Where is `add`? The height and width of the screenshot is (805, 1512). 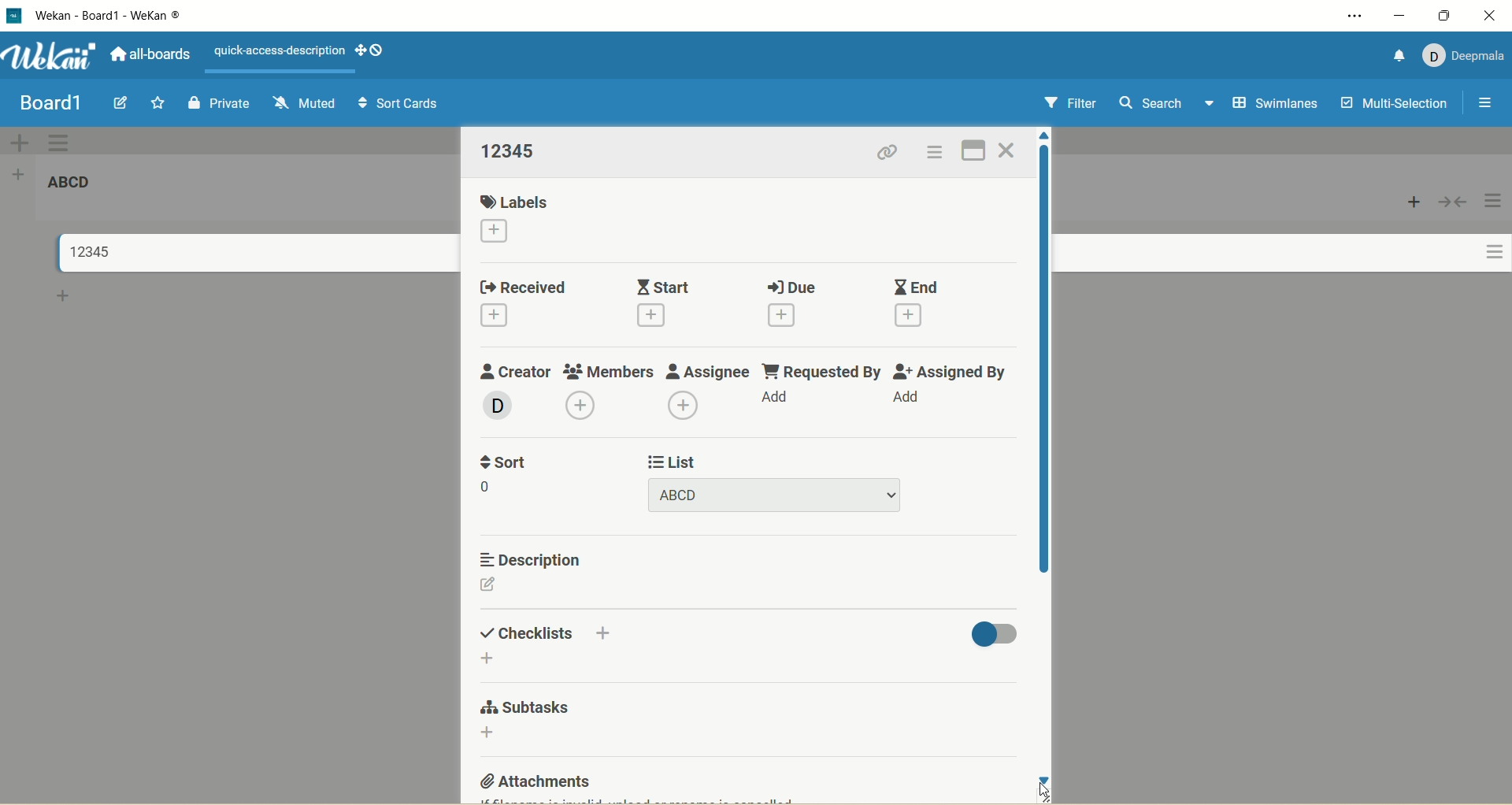
add is located at coordinates (908, 317).